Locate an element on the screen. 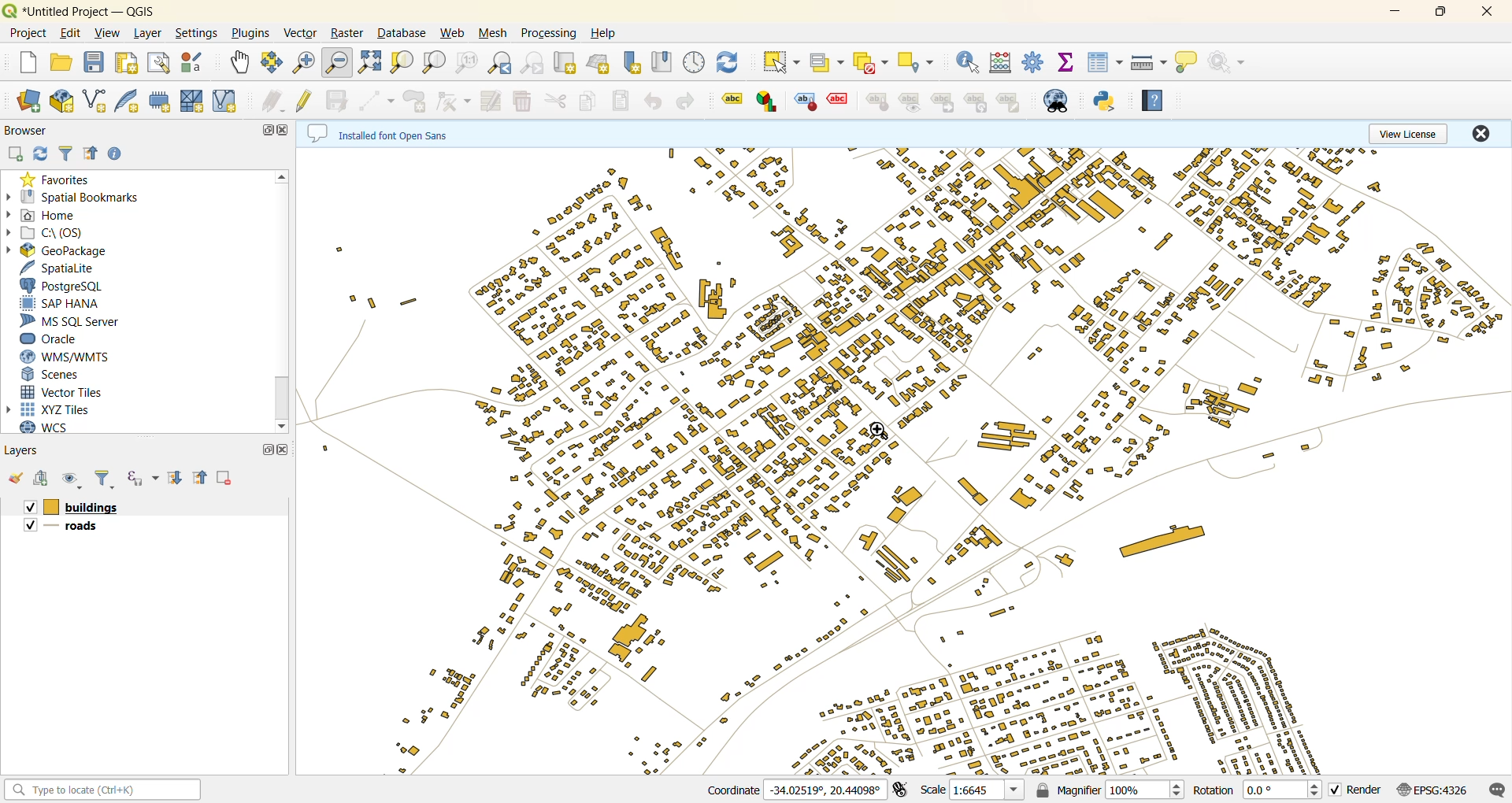  new spatial bookmark is located at coordinates (631, 65).